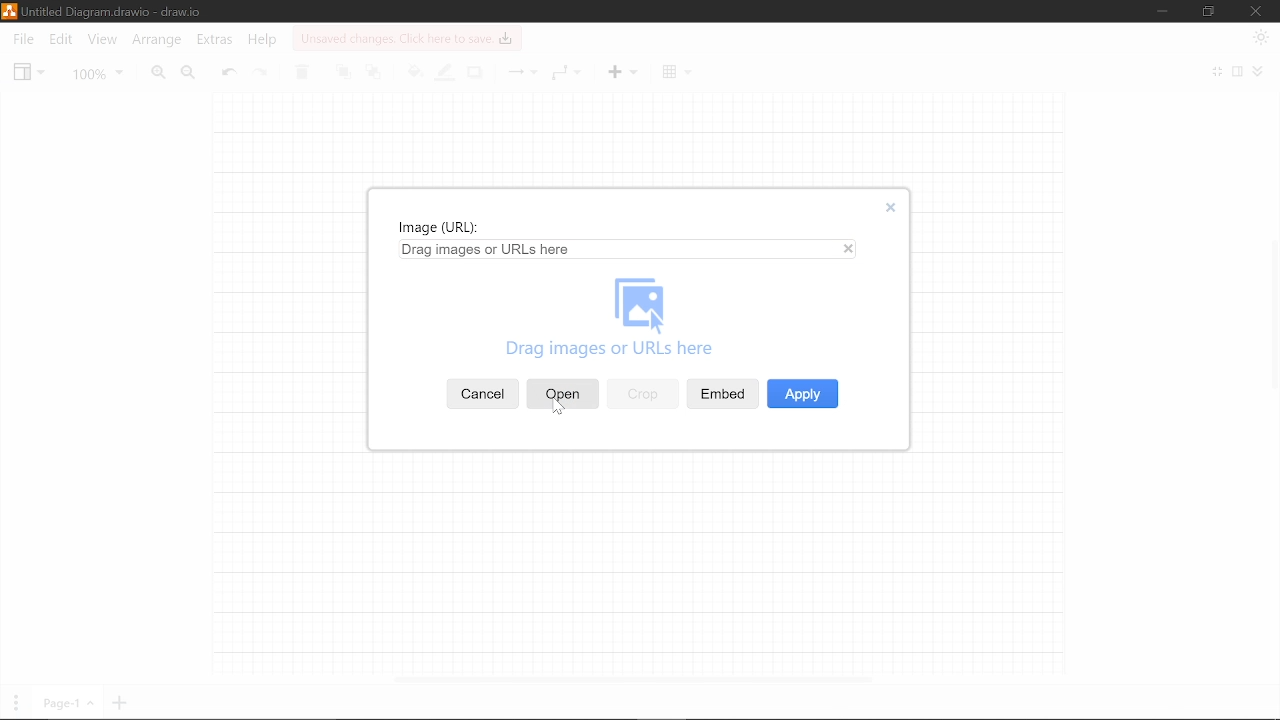 This screenshot has height=720, width=1280. What do you see at coordinates (103, 40) in the screenshot?
I see `View` at bounding box center [103, 40].